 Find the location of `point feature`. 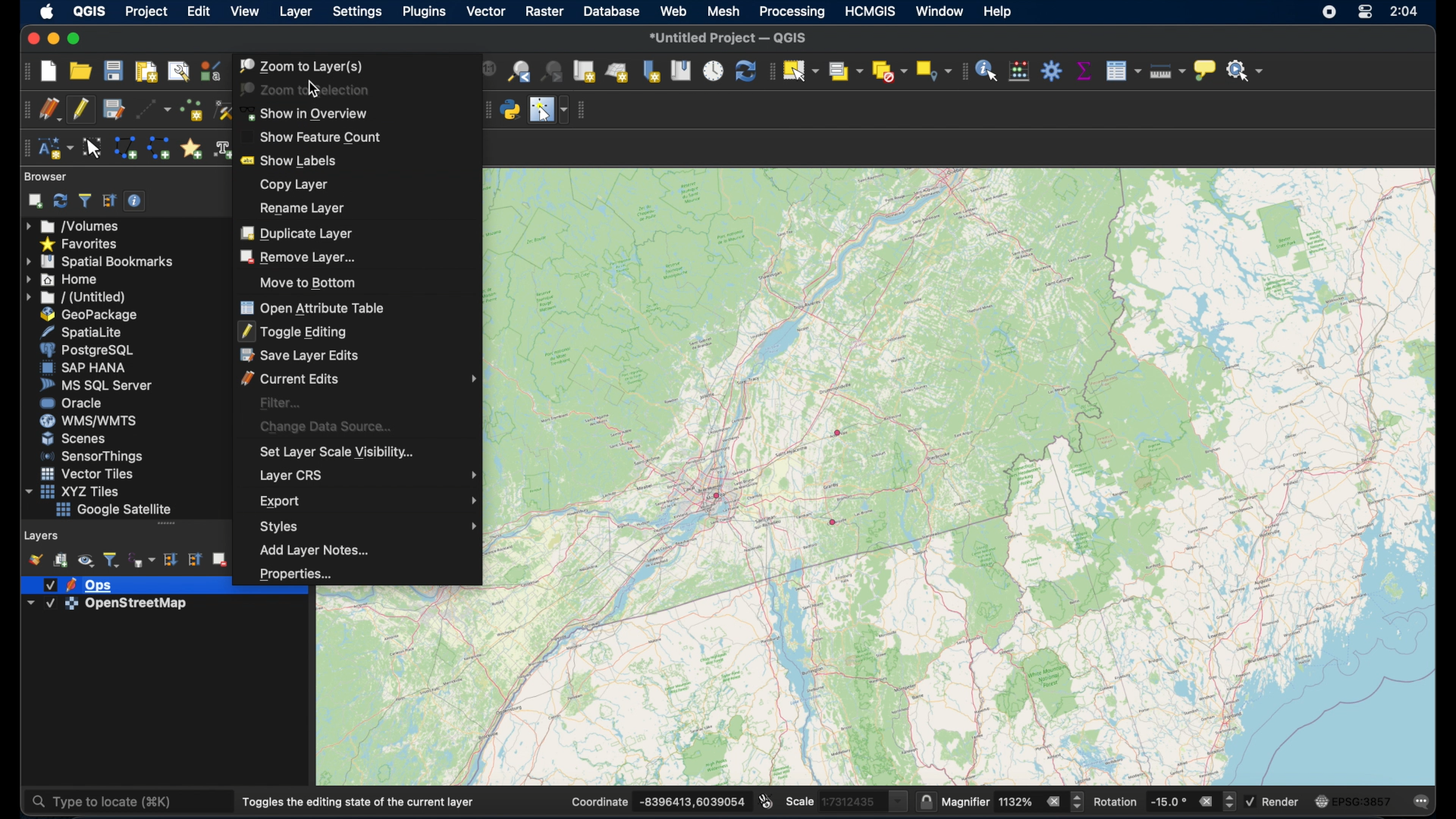

point feature is located at coordinates (833, 522).